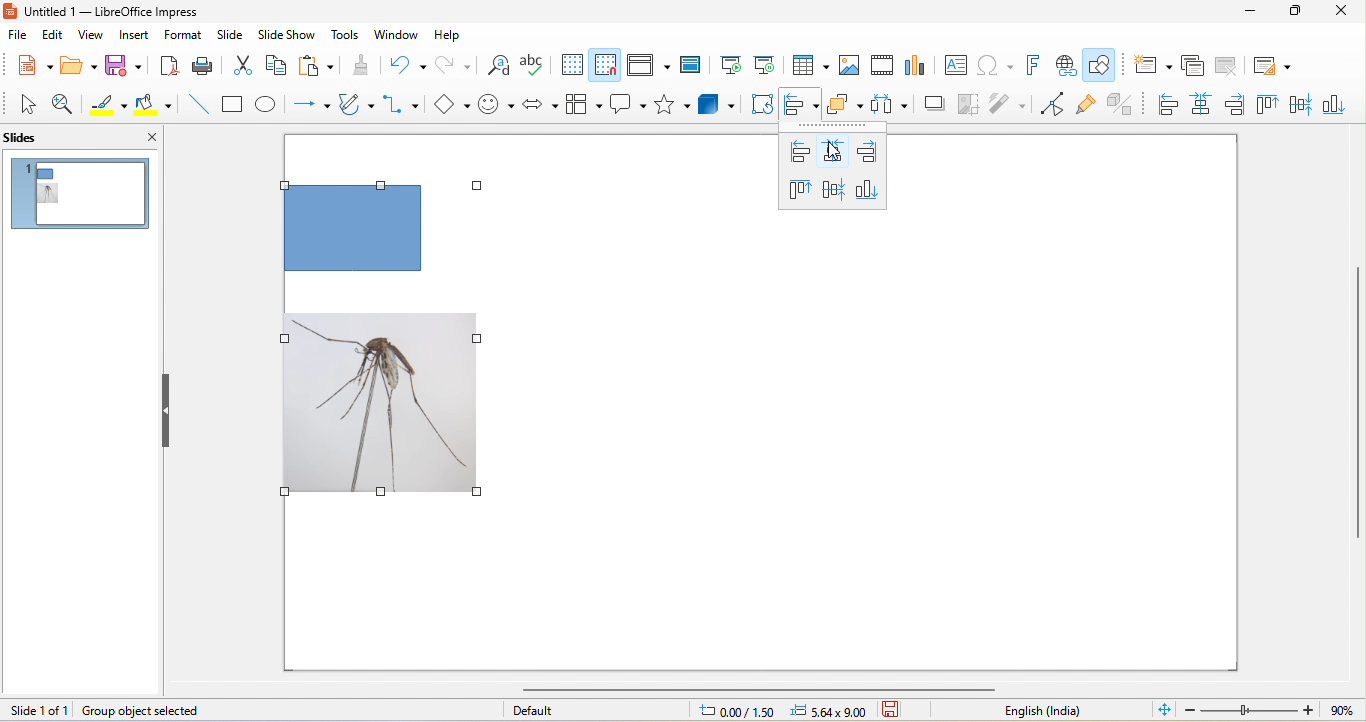  I want to click on vertical scroll bar, so click(1357, 404).